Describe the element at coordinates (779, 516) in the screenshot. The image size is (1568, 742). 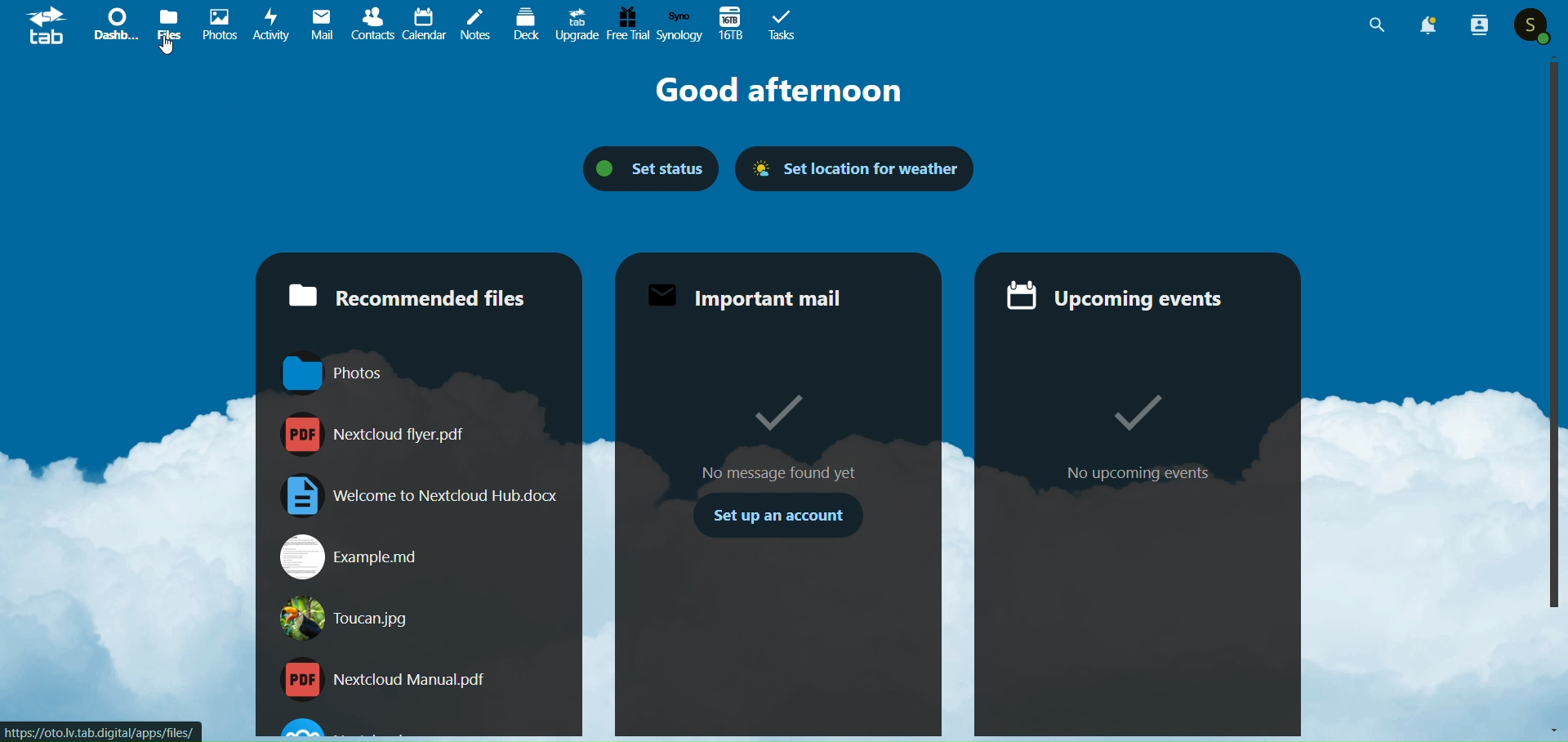
I see `set up an account` at that location.